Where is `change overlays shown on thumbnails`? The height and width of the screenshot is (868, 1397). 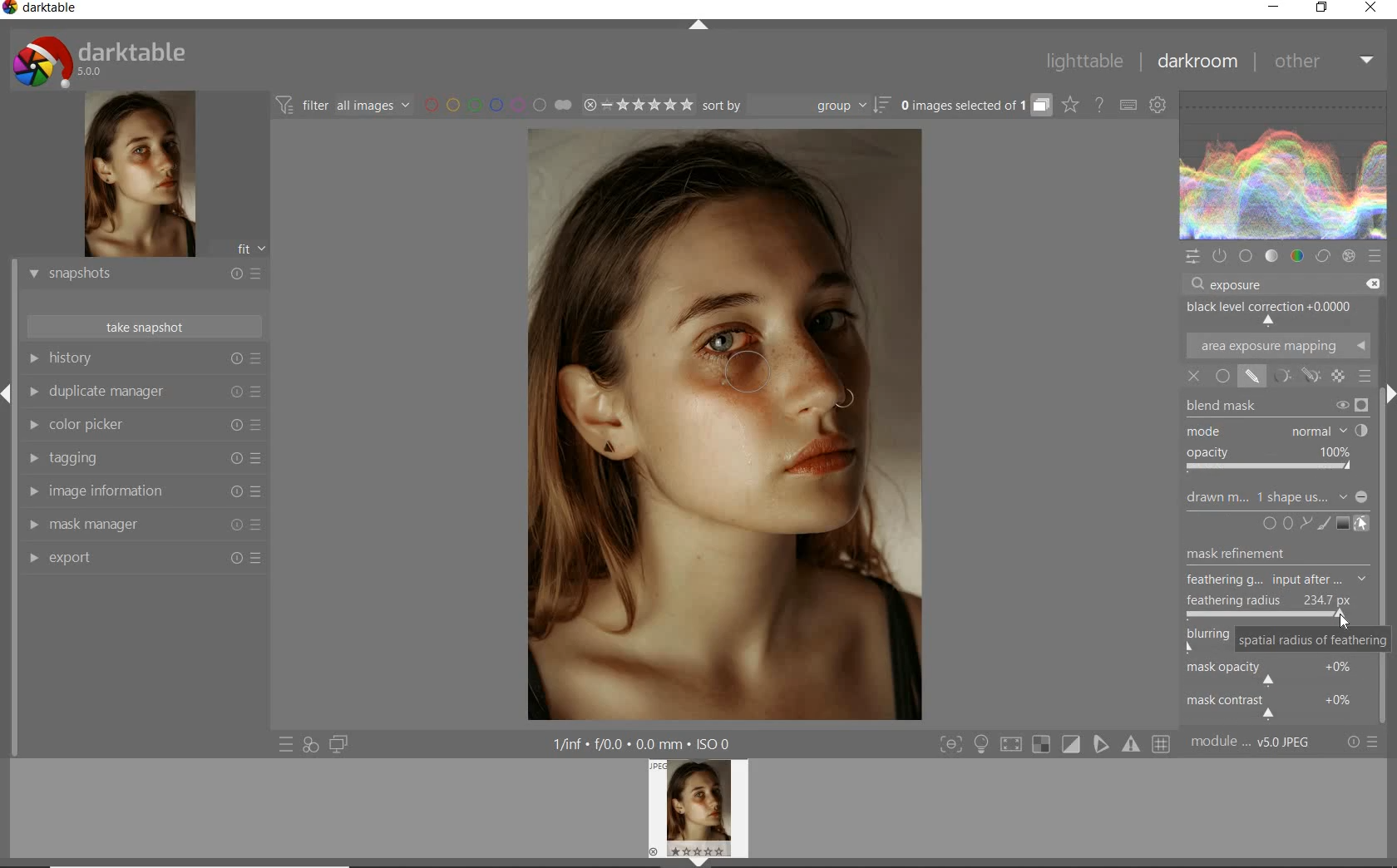
change overlays shown on thumbnails is located at coordinates (1069, 106).